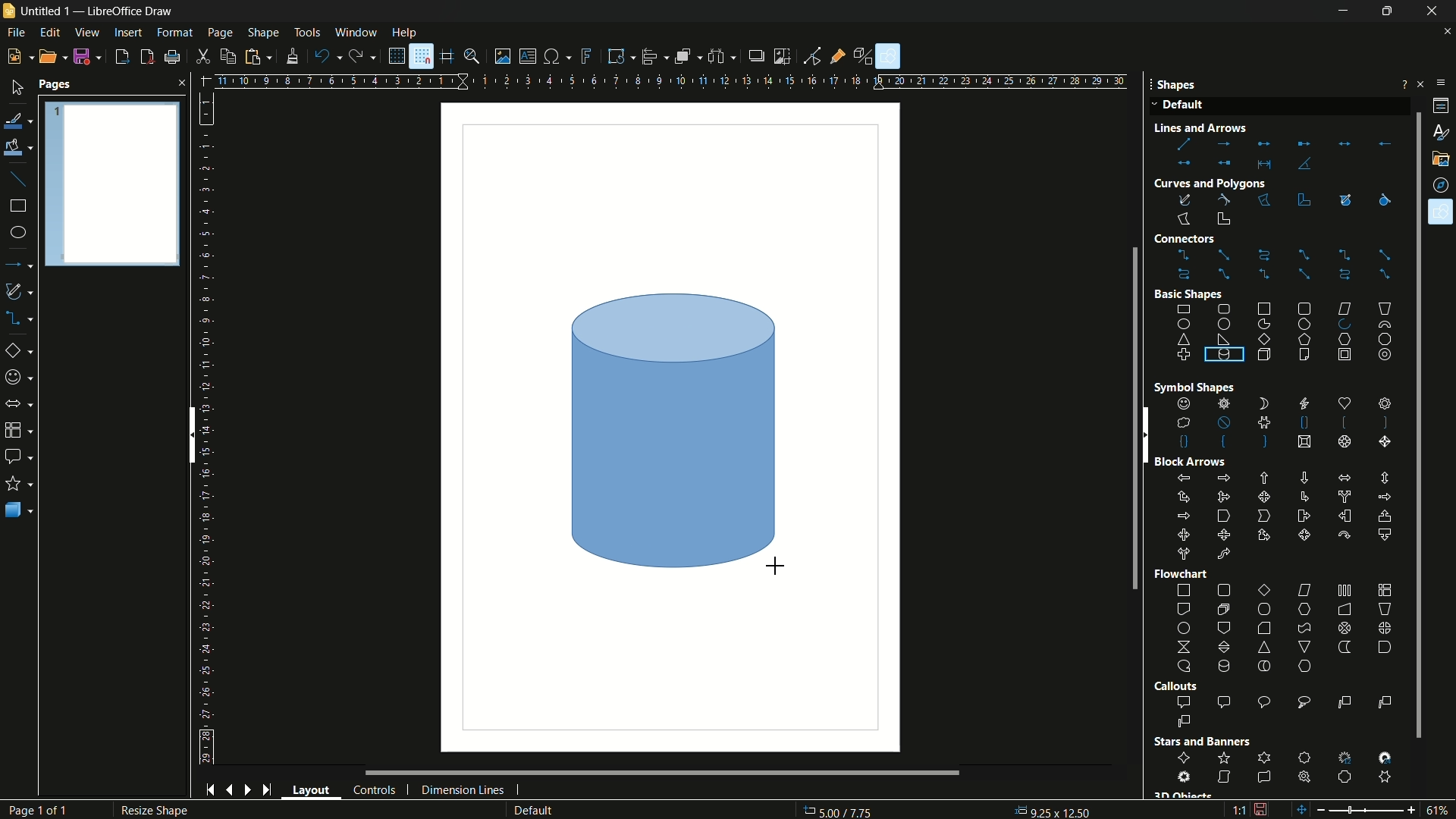  I want to click on end page, so click(266, 791).